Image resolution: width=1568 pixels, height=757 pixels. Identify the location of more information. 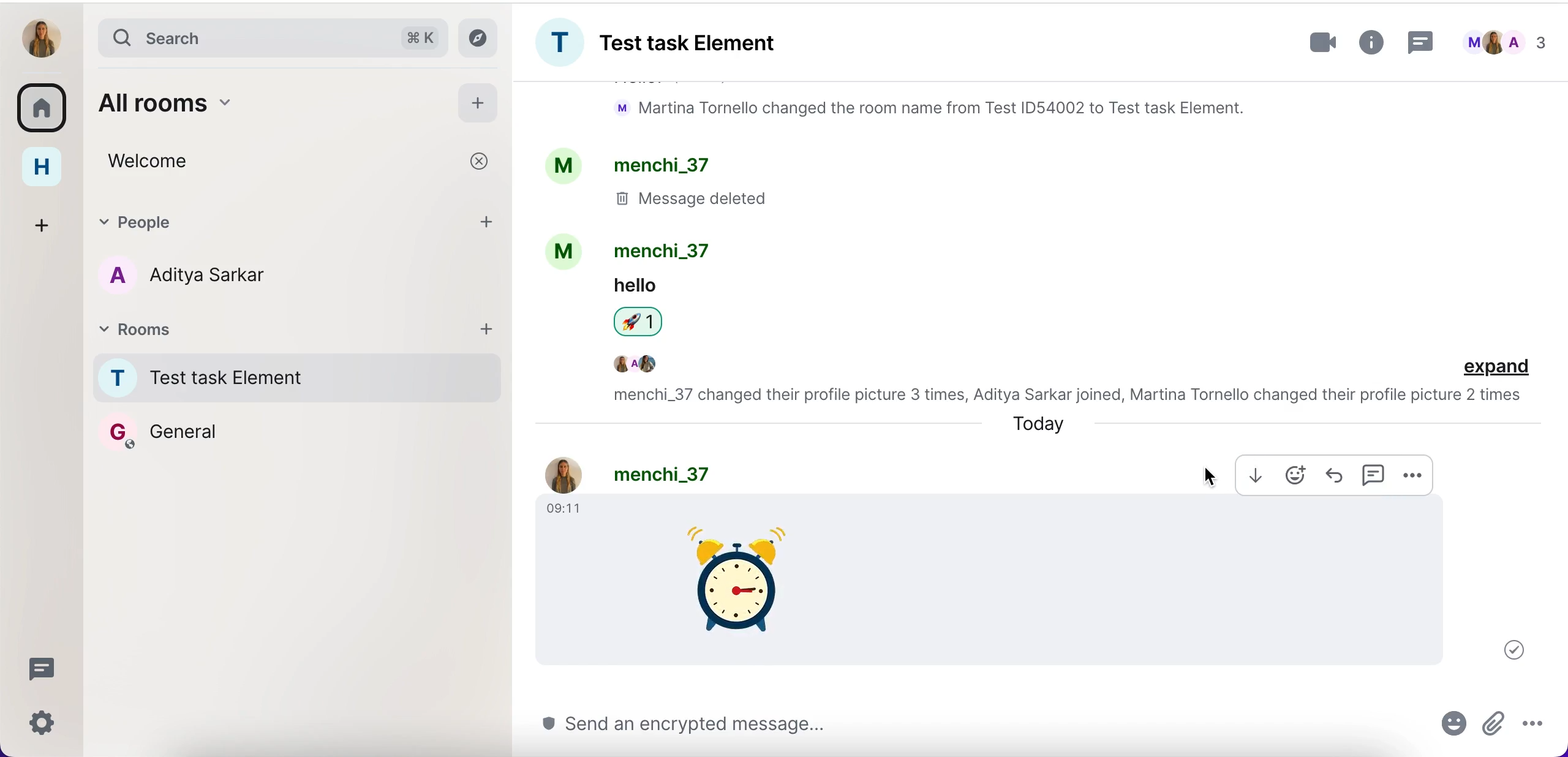
(1373, 43).